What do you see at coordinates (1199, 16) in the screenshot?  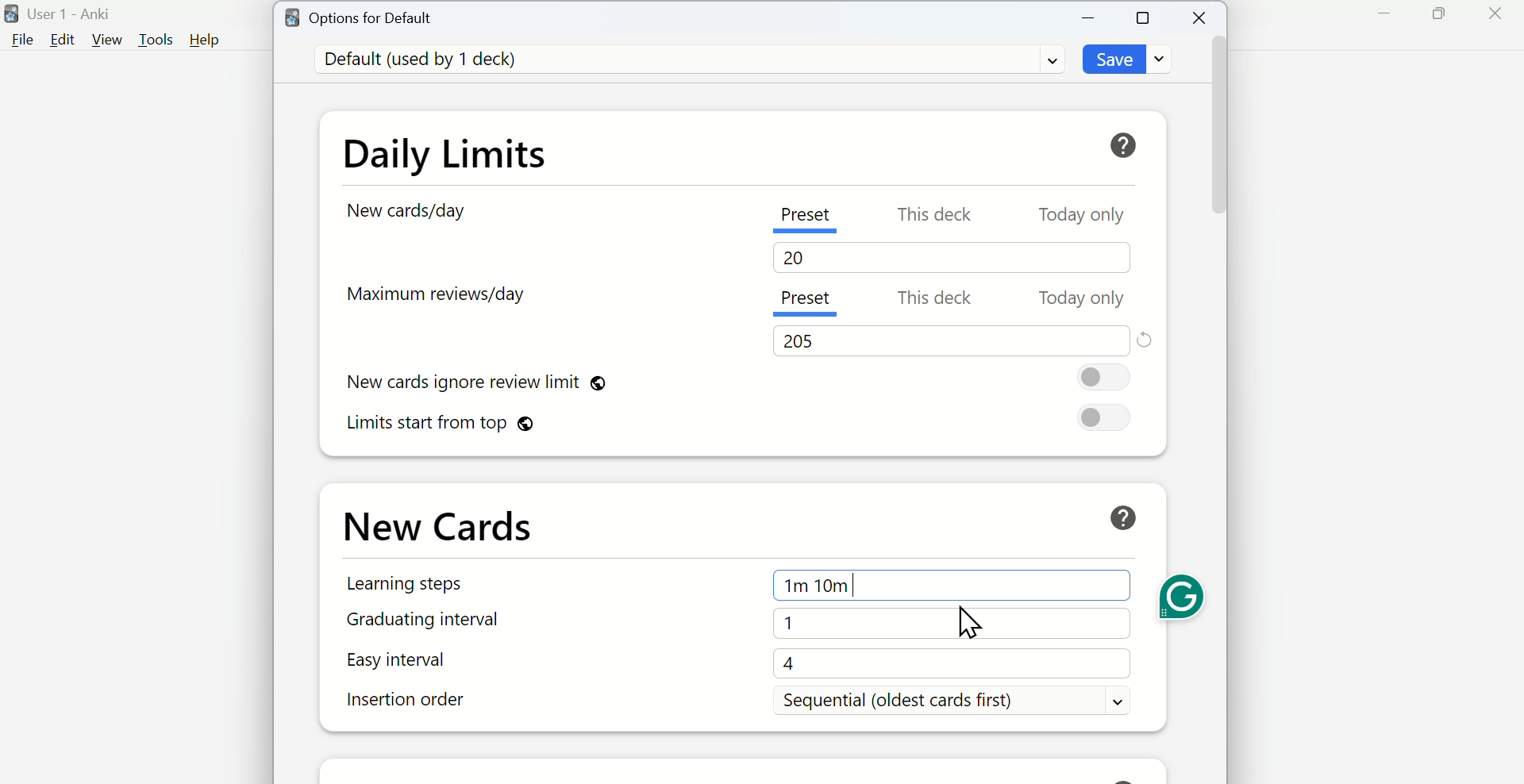 I see `Close` at bounding box center [1199, 16].